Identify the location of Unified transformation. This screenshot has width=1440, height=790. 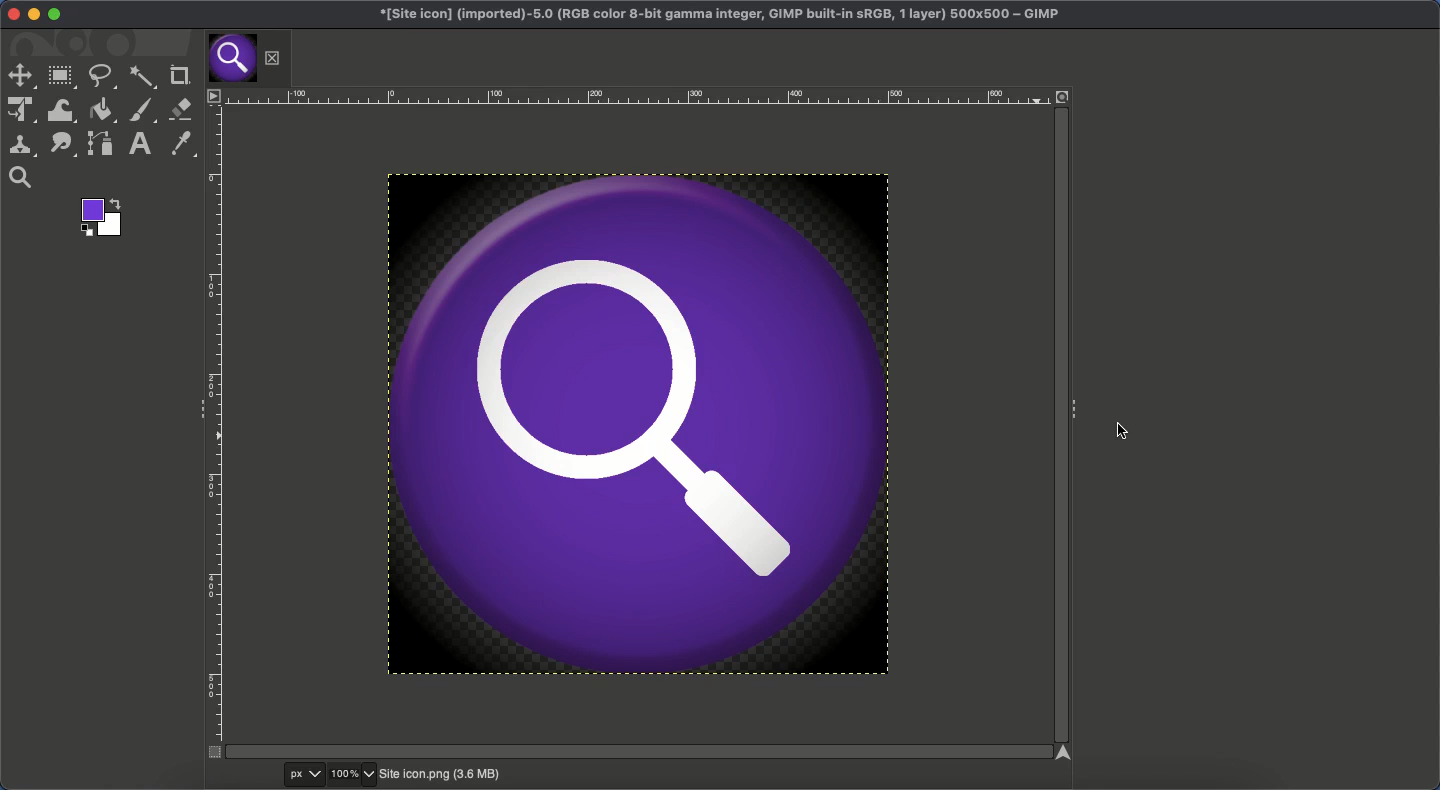
(19, 111).